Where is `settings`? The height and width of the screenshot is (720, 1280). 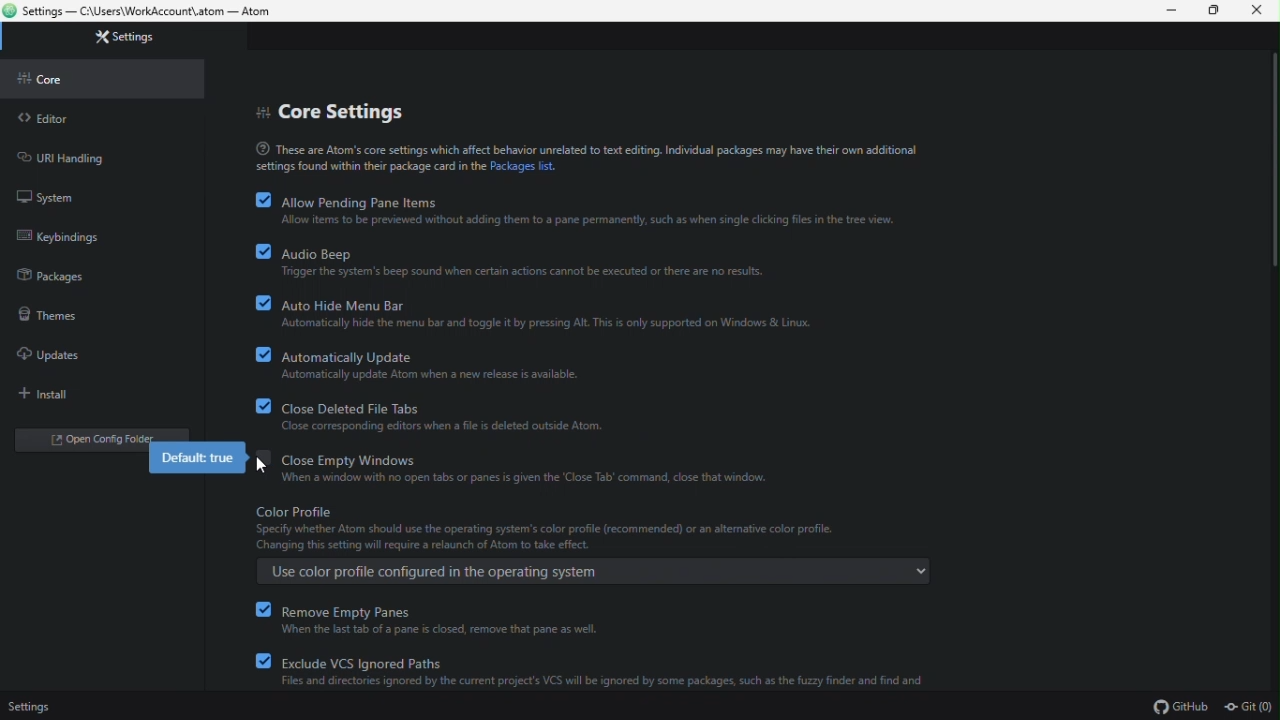 settings is located at coordinates (31, 706).